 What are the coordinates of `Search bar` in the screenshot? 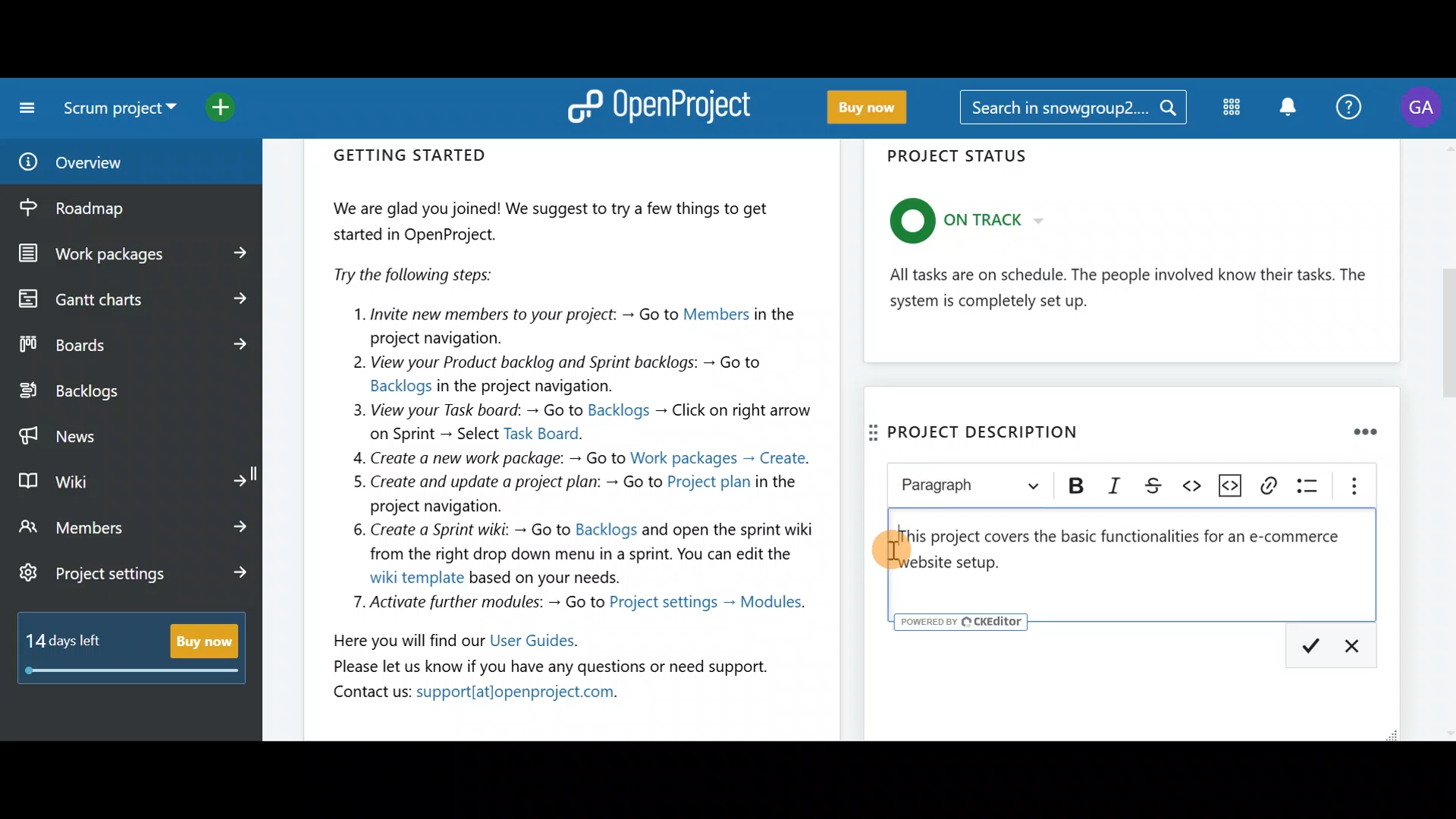 It's located at (1072, 110).